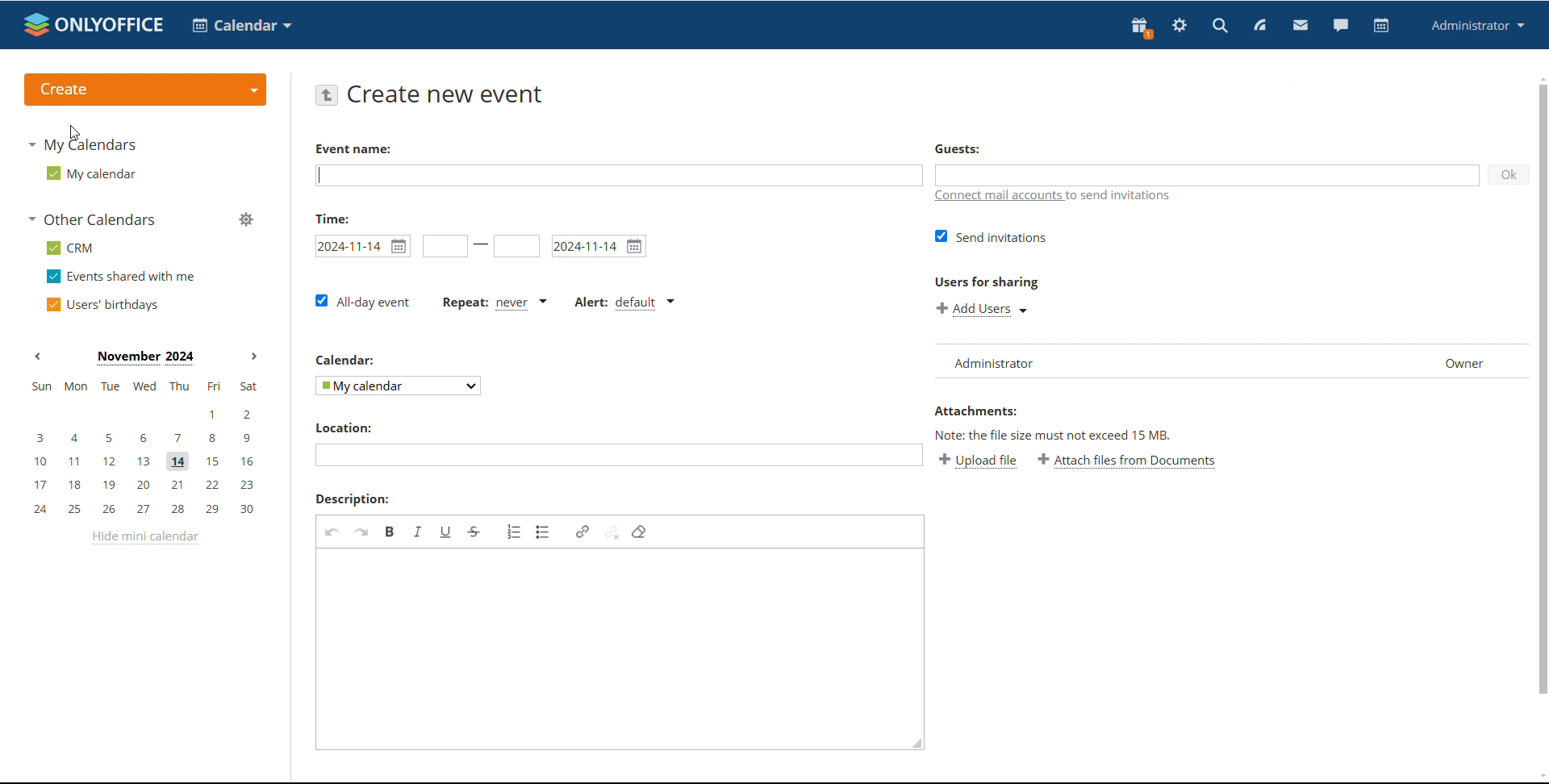 The width and height of the screenshot is (1549, 784). What do you see at coordinates (144, 436) in the screenshot?
I see `3, 4, 5, 6, 7, 8, 9` at bounding box center [144, 436].